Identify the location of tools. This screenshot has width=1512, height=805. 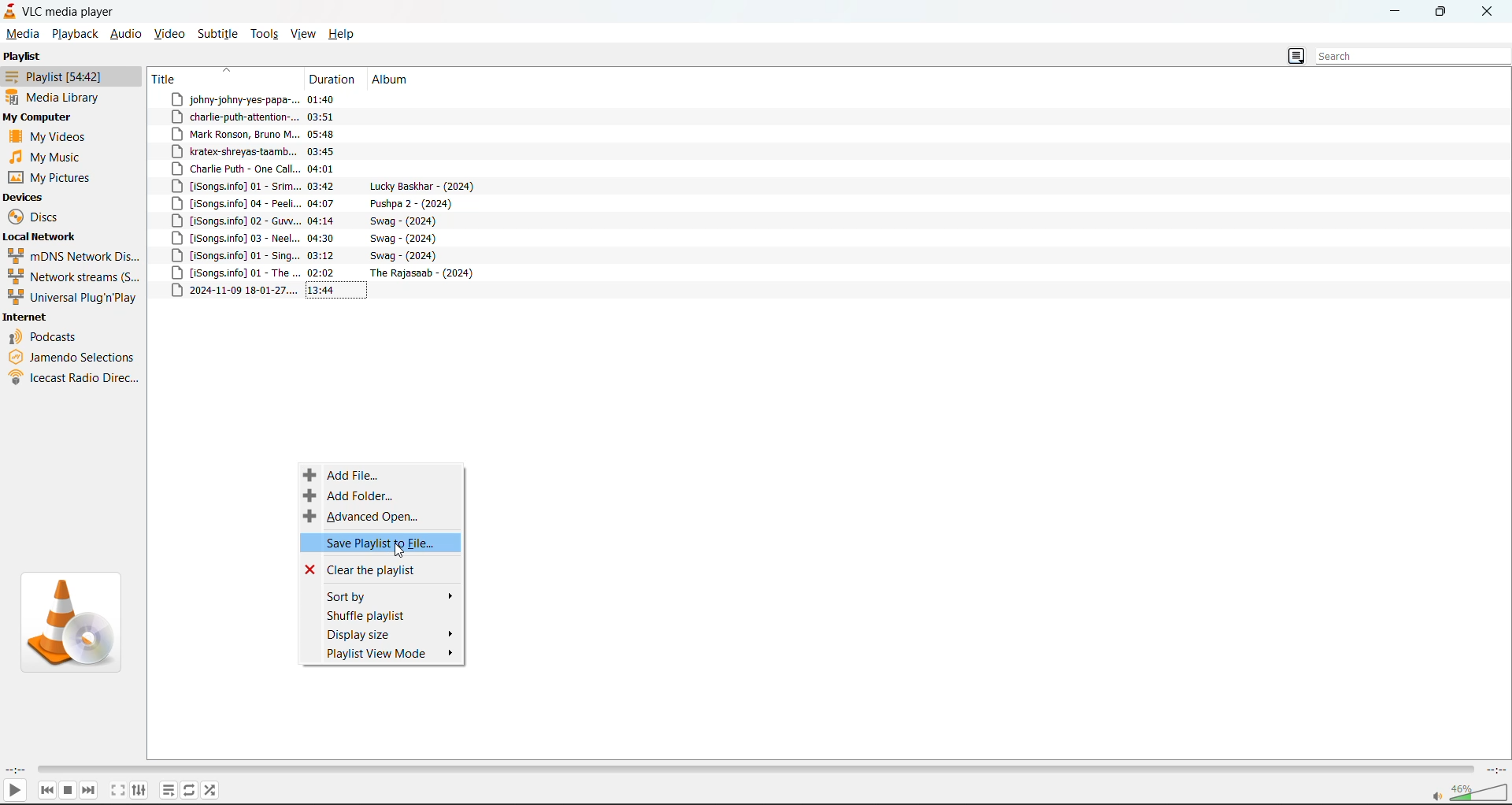
(268, 34).